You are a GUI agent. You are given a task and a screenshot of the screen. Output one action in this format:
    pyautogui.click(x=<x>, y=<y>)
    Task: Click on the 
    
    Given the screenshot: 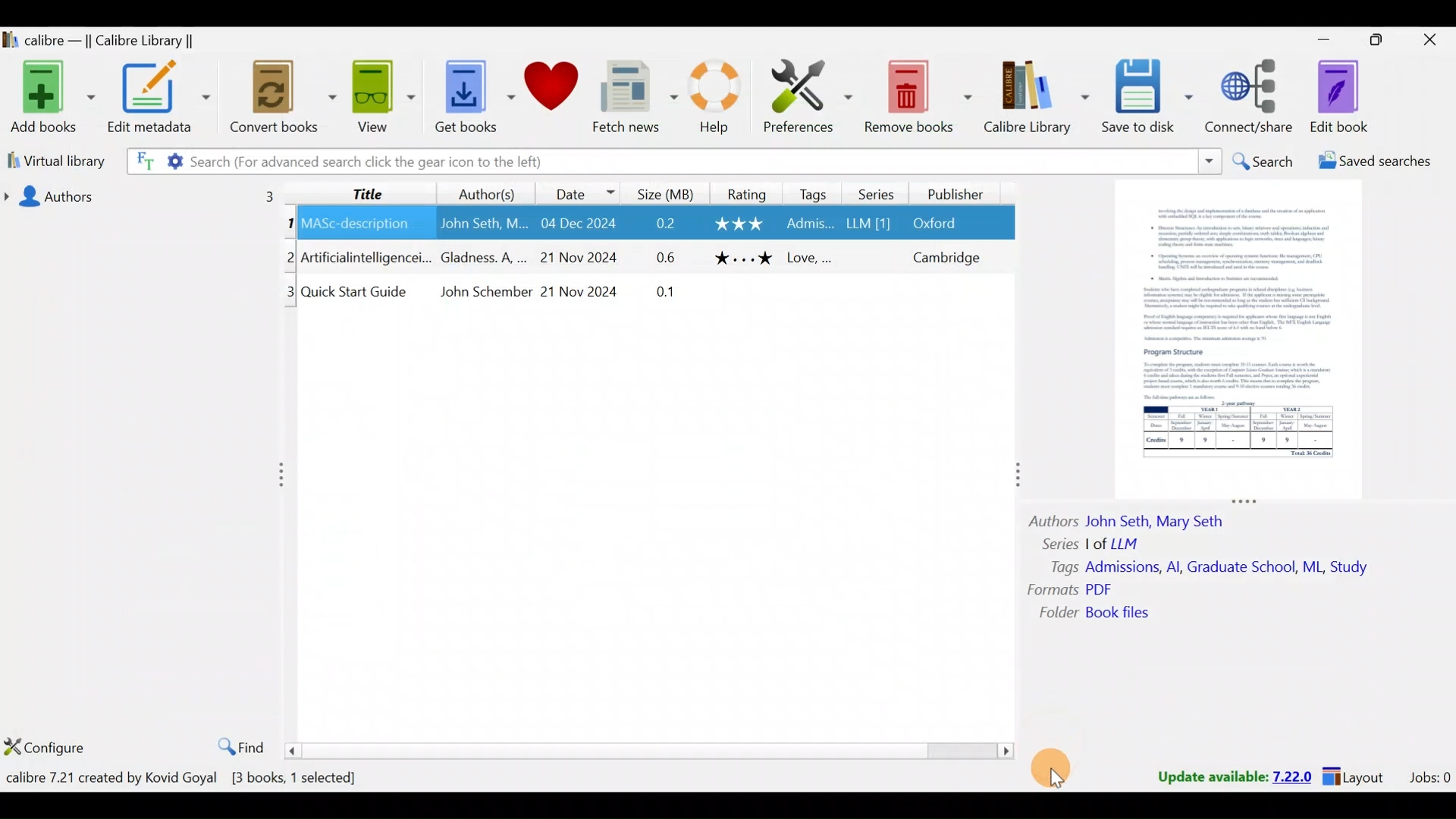 What is the action you would take?
    pyautogui.click(x=807, y=224)
    